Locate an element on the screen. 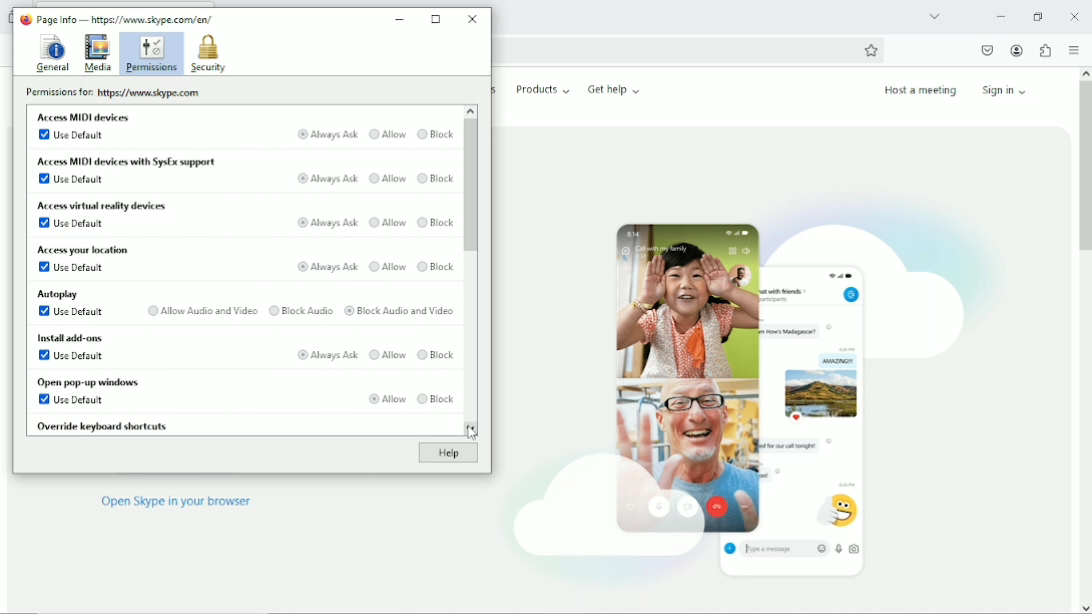  Permissions is located at coordinates (150, 54).